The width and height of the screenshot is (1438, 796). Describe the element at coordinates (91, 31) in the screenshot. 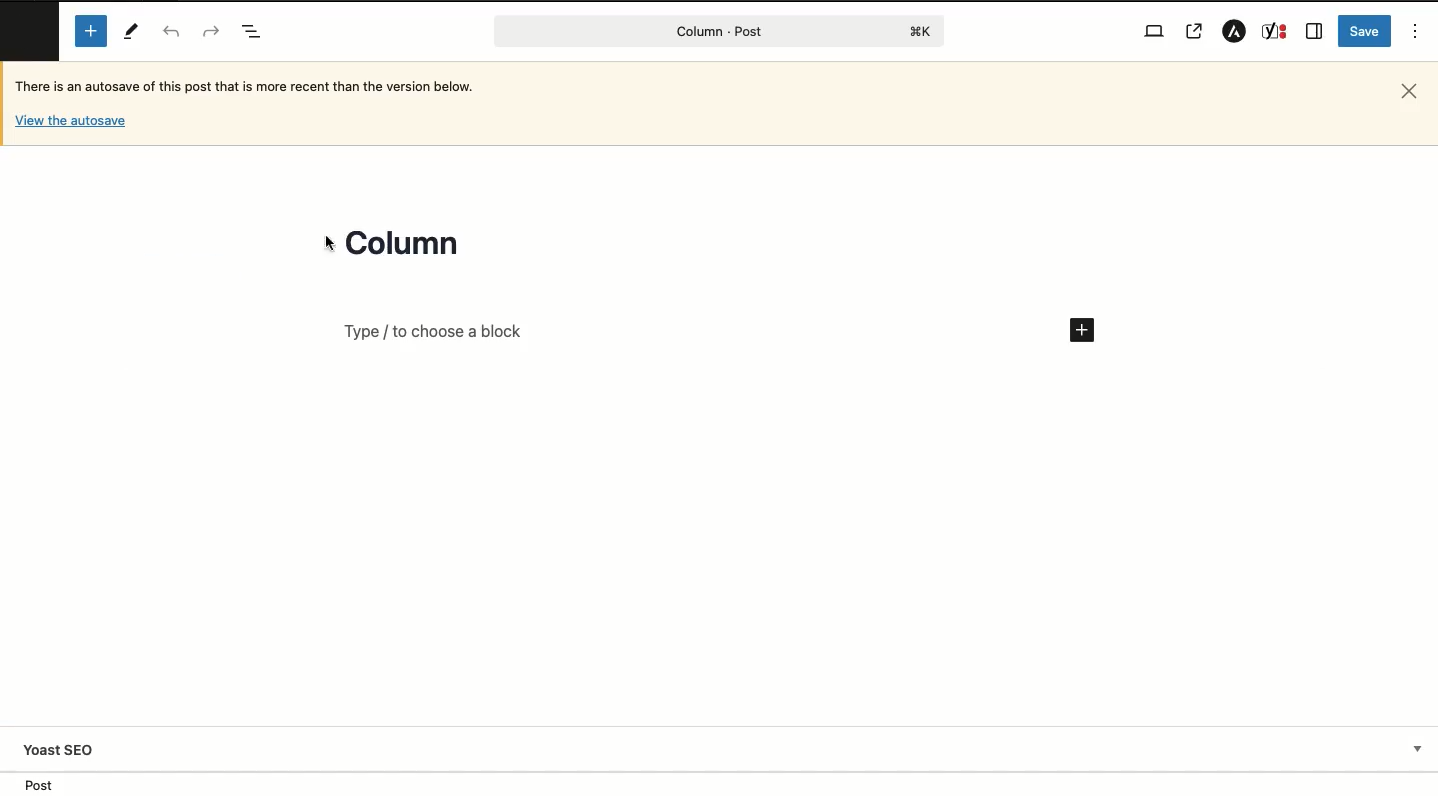

I see `Add new block` at that location.